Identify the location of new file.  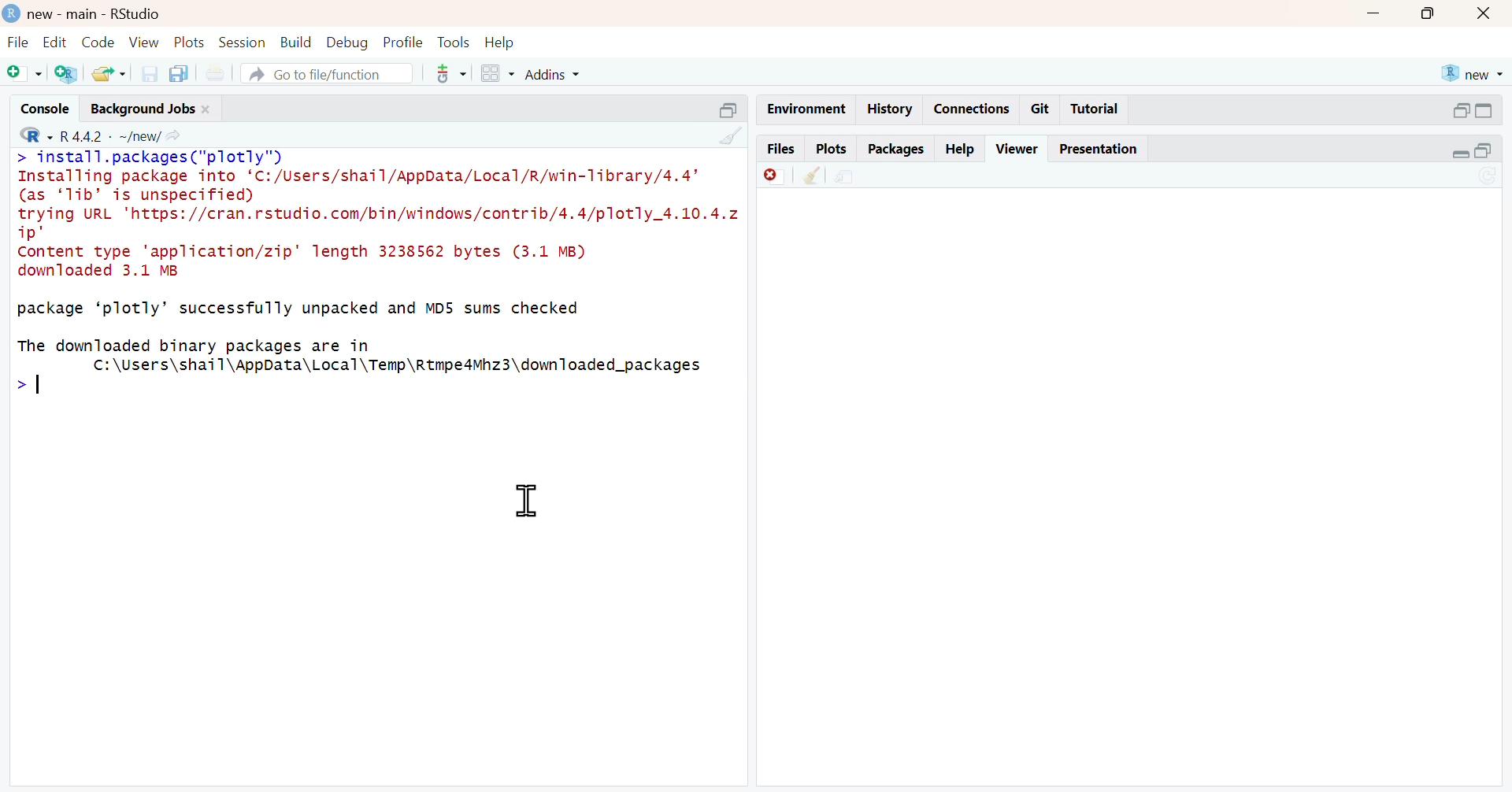
(23, 72).